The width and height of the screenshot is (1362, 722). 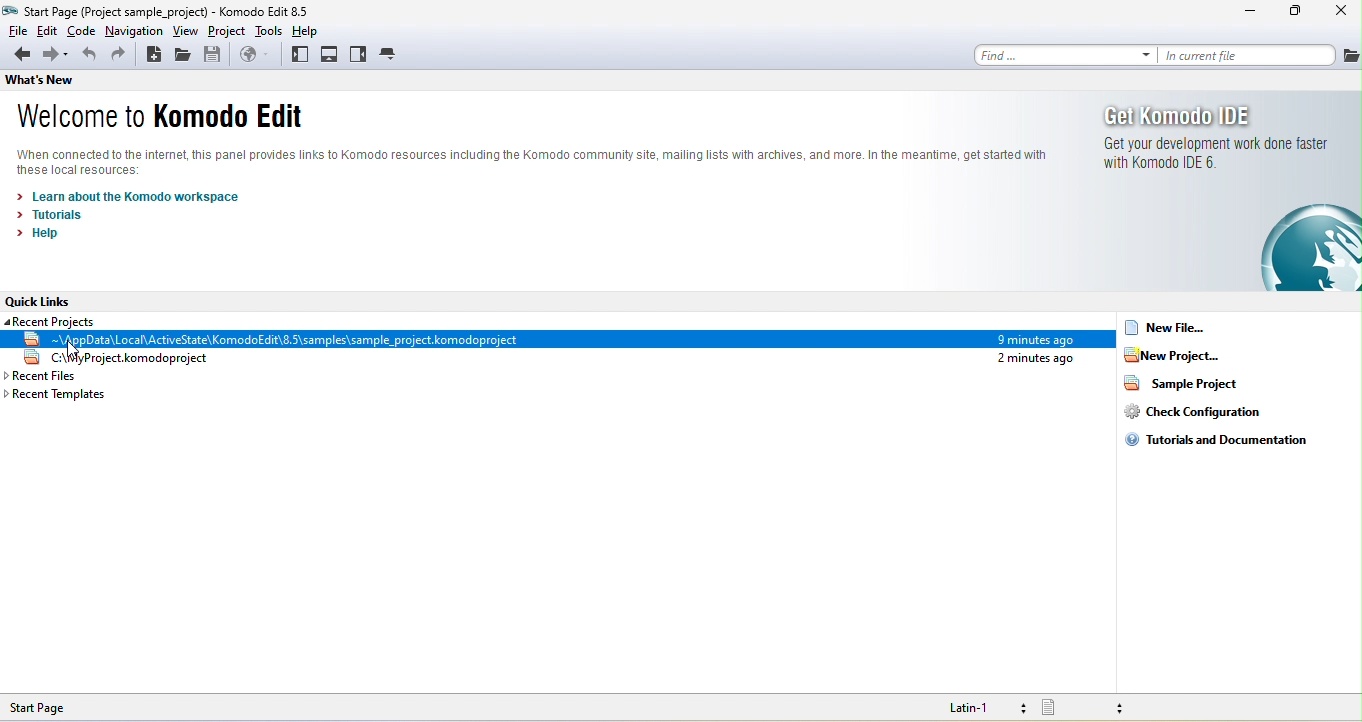 I want to click on bottom pane, so click(x=335, y=54).